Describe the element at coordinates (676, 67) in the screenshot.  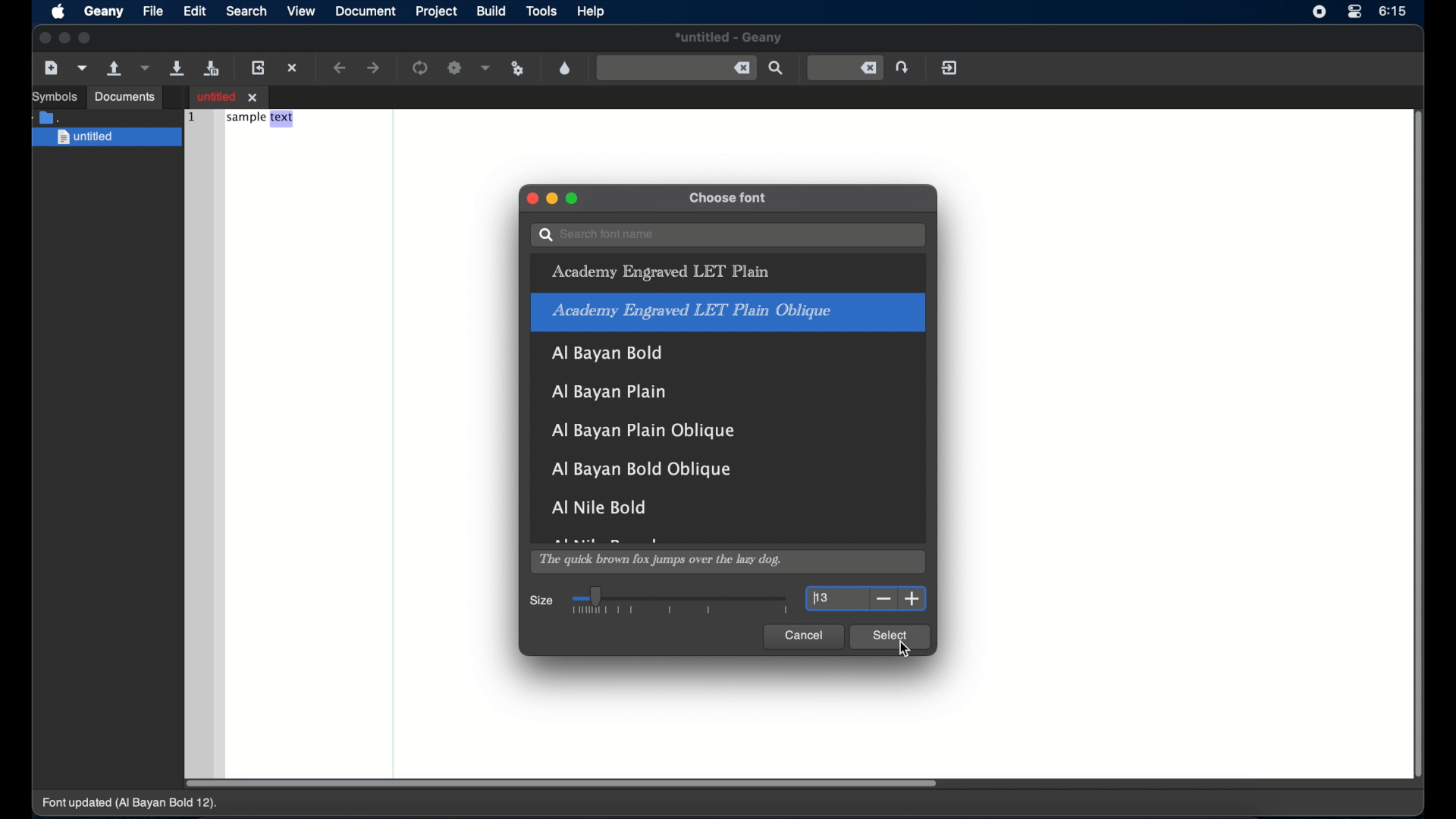
I see `find the entered text in the current file` at that location.